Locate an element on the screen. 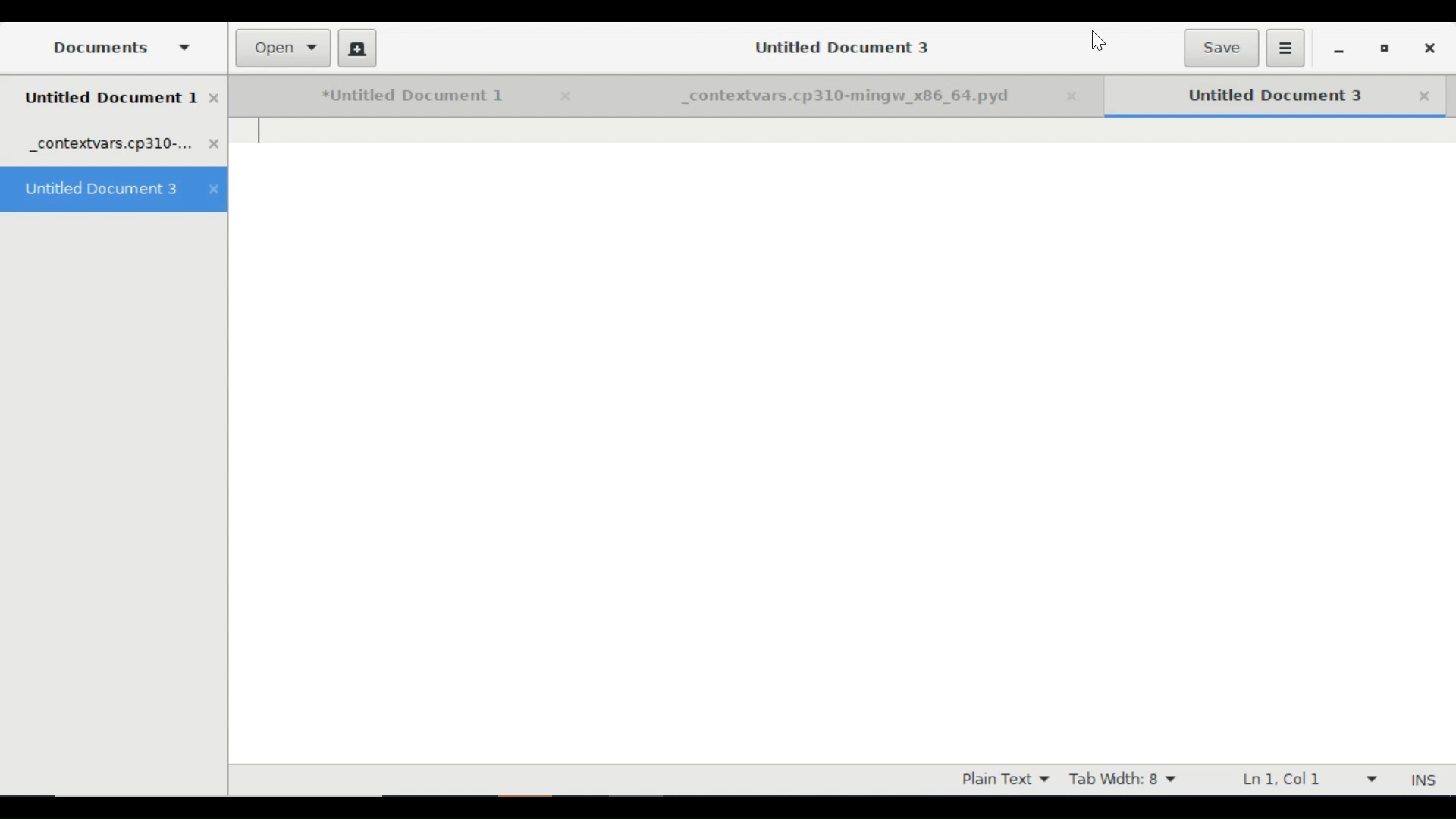  Untitled Document 1 is located at coordinates (391, 96).